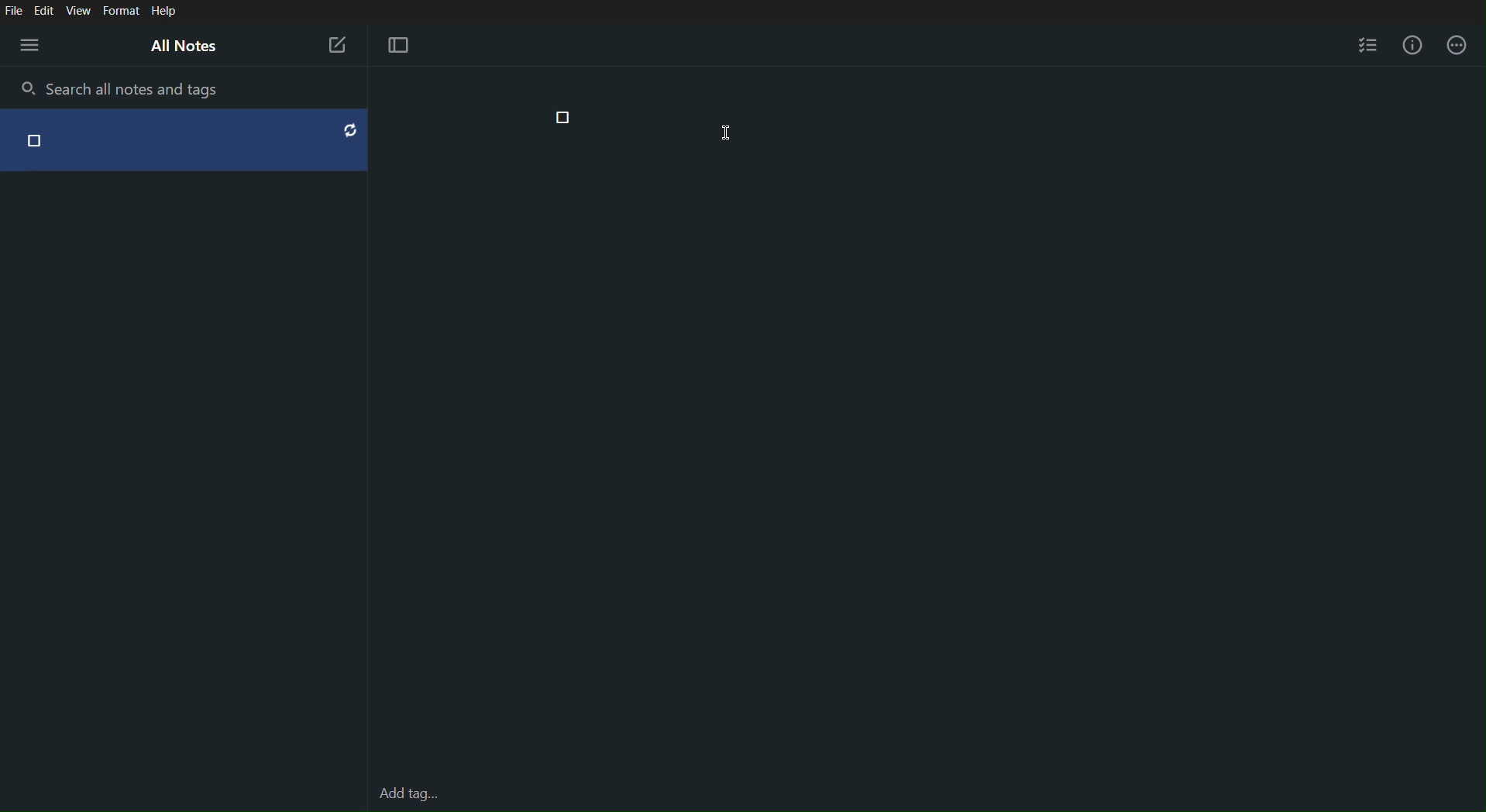  I want to click on Checkpoint, so click(562, 117).